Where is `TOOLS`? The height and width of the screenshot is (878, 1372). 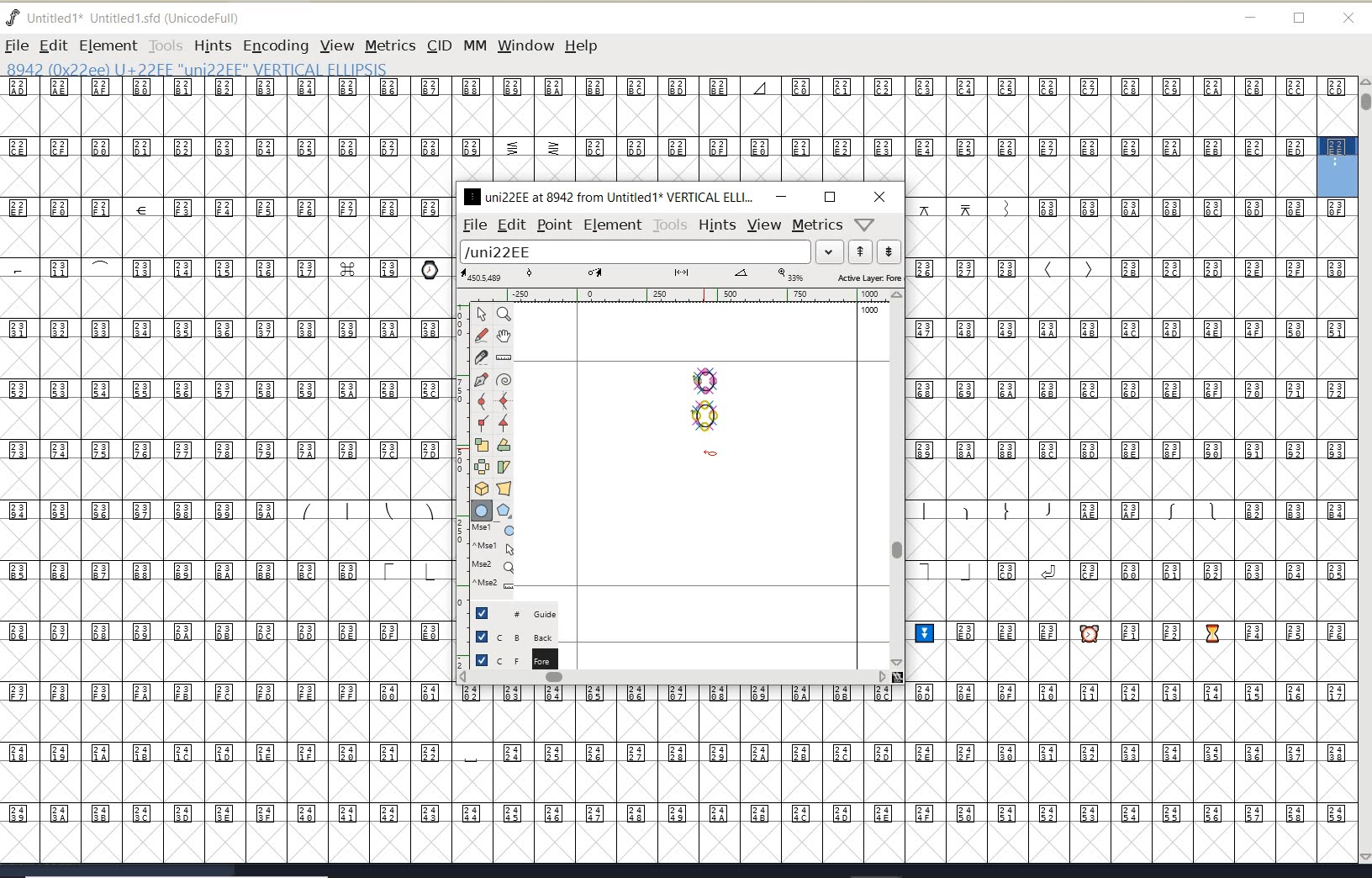
TOOLS is located at coordinates (165, 45).